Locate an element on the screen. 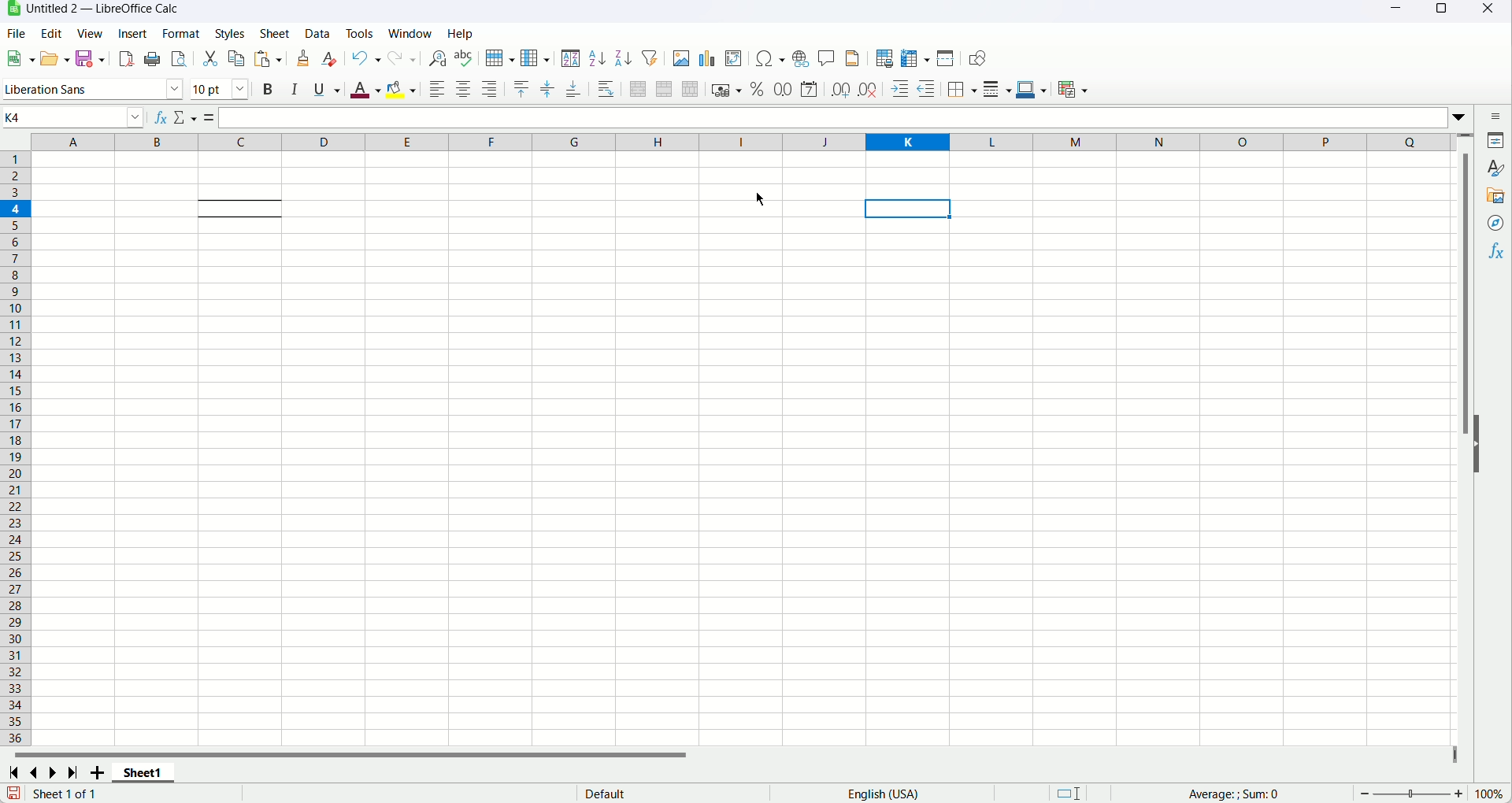 The image size is (1512, 803). Border color is located at coordinates (1031, 89).